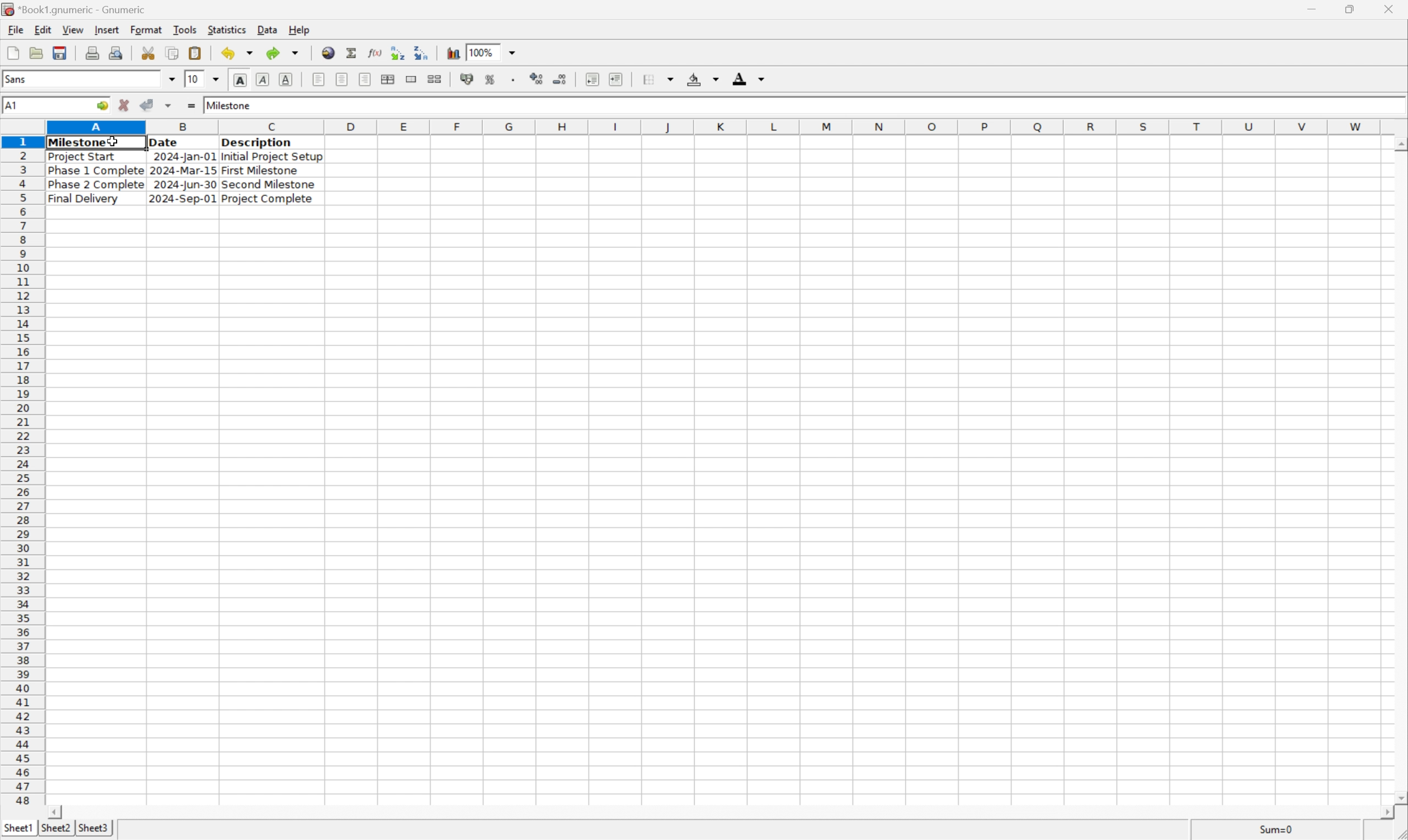 This screenshot has width=1408, height=840. I want to click on 10, so click(192, 79).